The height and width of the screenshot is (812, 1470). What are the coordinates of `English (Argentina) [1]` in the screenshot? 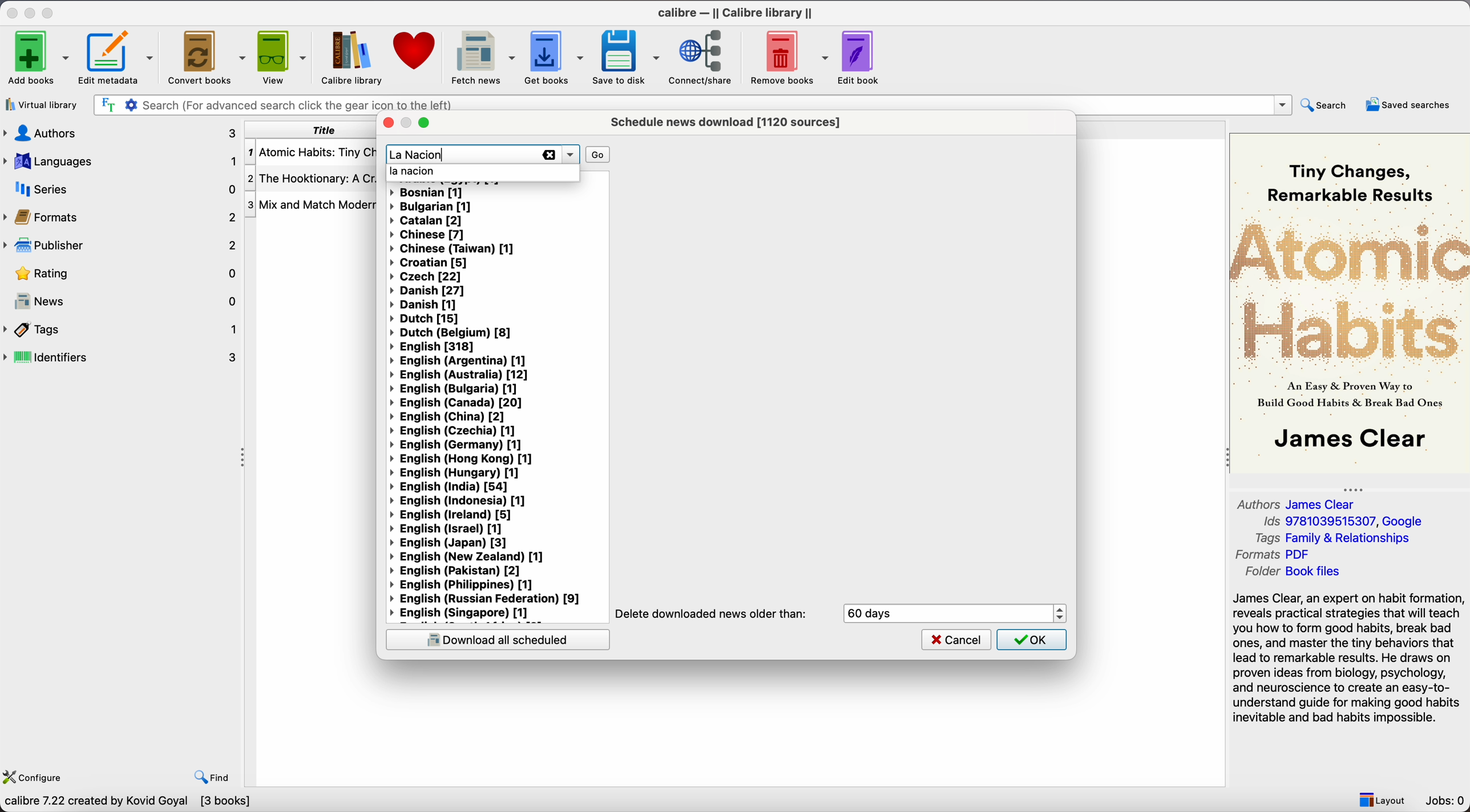 It's located at (459, 361).